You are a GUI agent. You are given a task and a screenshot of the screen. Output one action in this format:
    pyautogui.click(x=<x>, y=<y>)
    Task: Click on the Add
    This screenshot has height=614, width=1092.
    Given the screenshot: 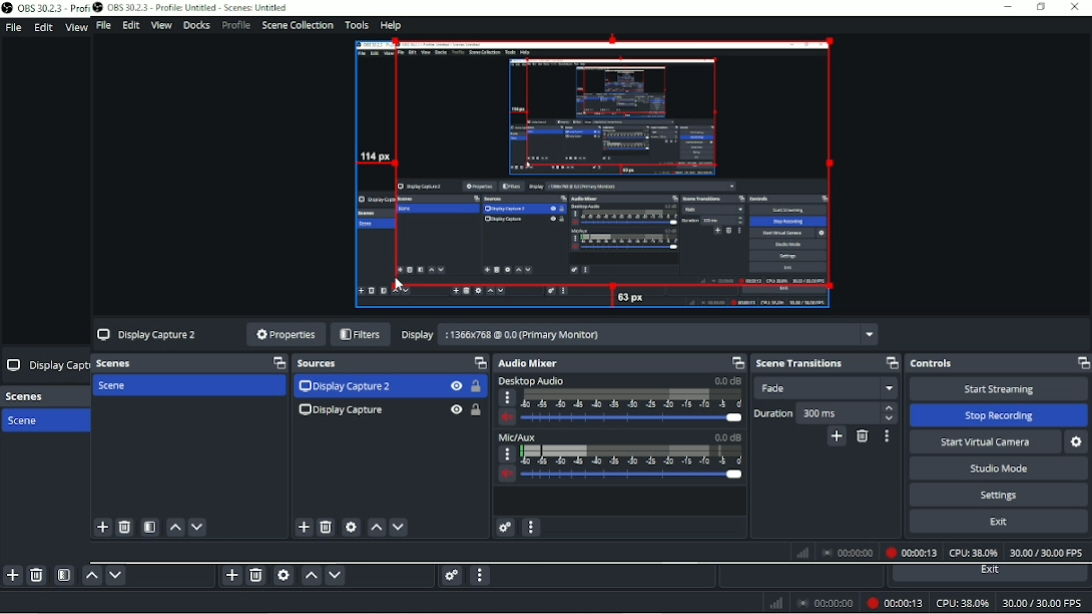 What is the action you would take?
    pyautogui.click(x=302, y=528)
    